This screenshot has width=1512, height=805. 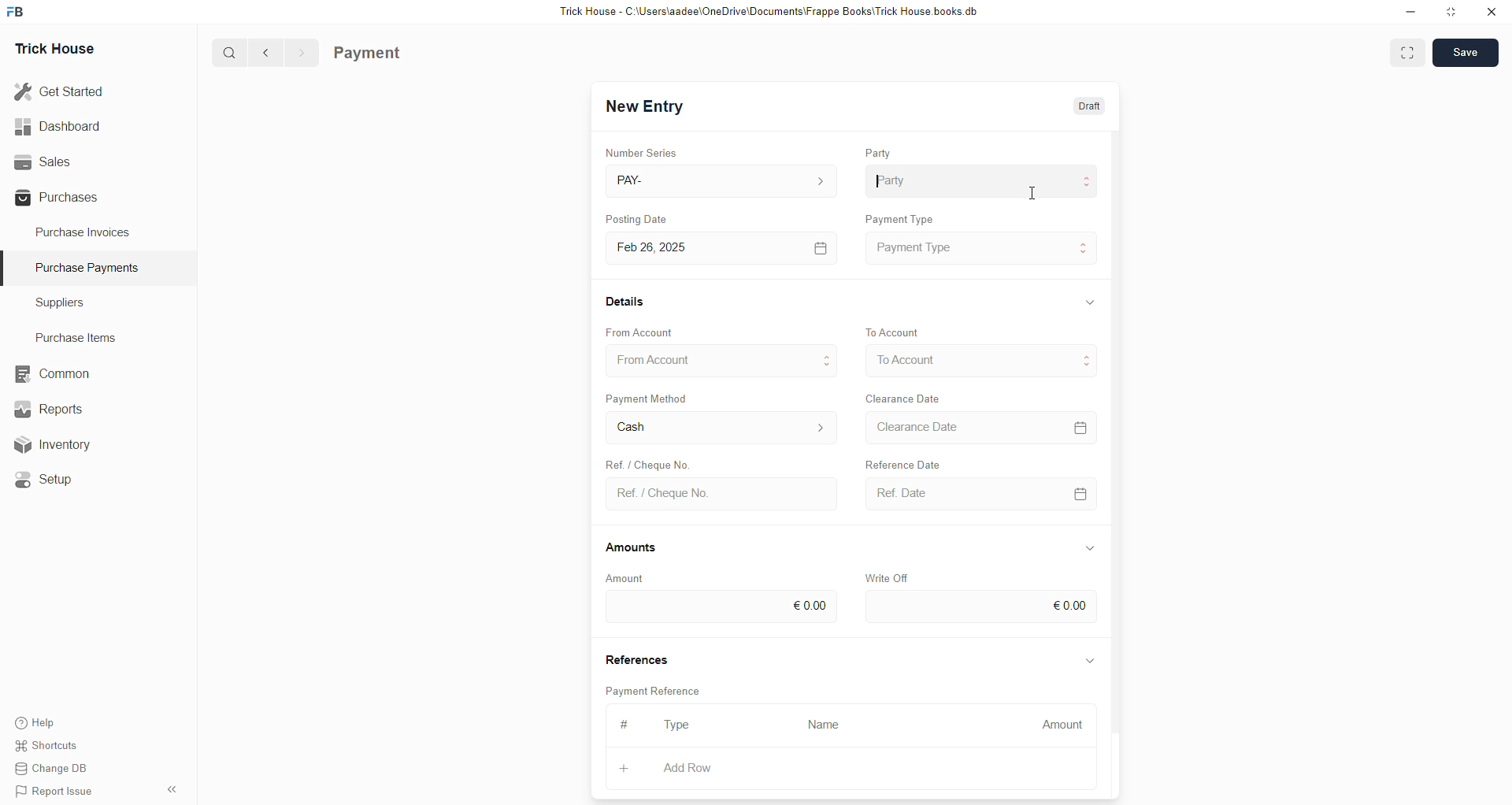 I want to click on Purchase Payments, so click(x=92, y=268).